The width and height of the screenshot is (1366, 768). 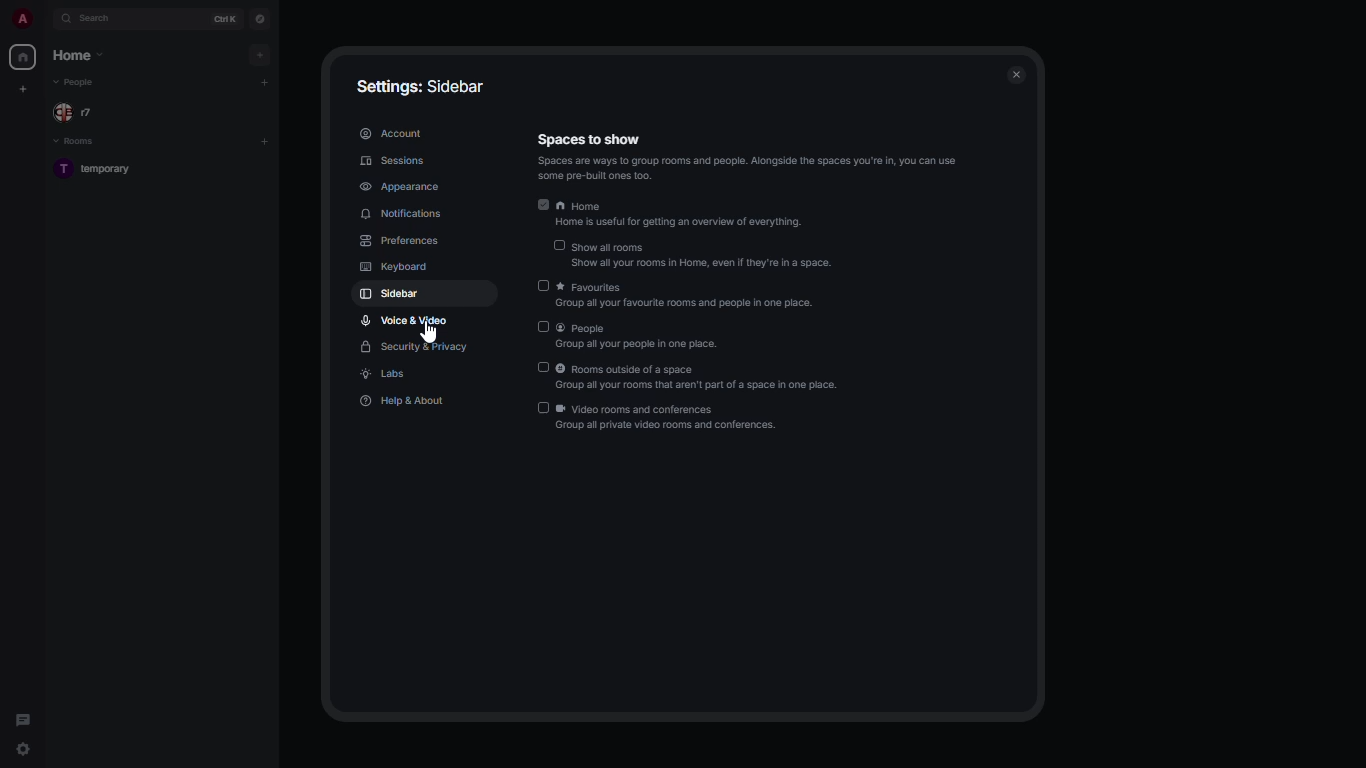 I want to click on show all rooms, so click(x=703, y=256).